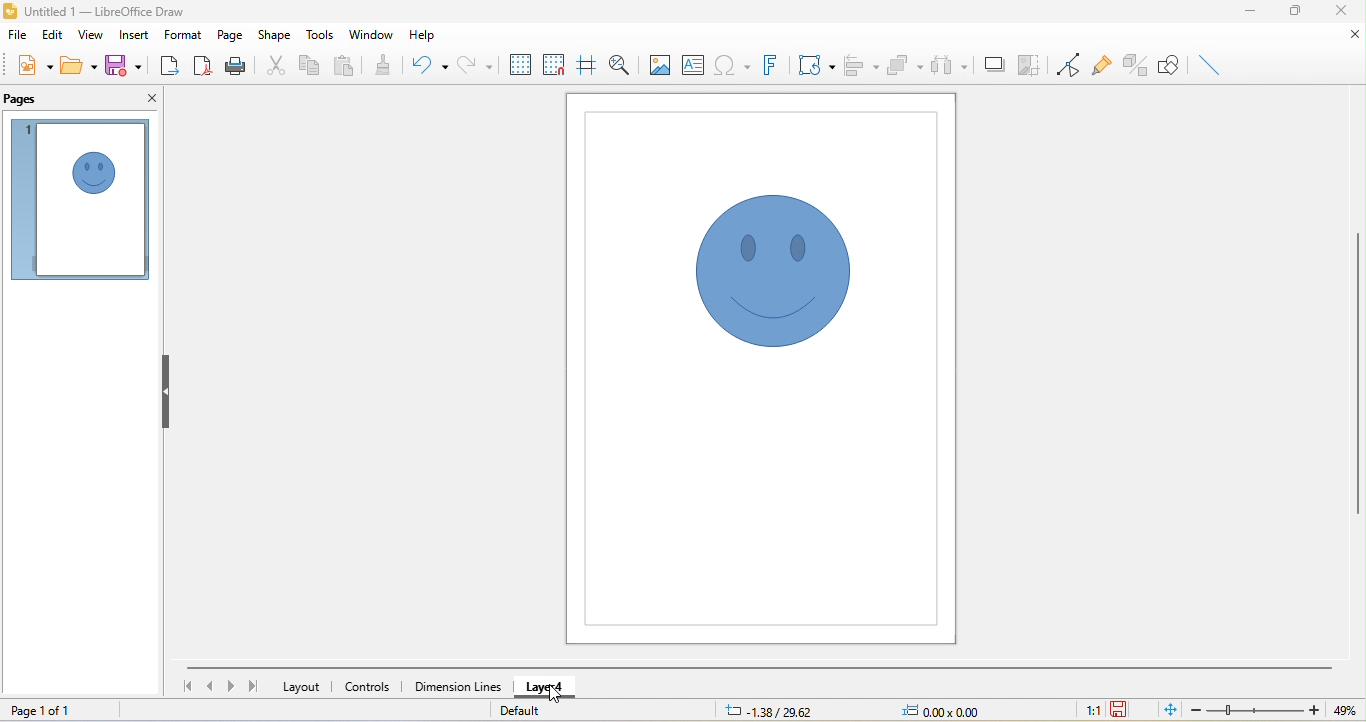  What do you see at coordinates (369, 687) in the screenshot?
I see `controls` at bounding box center [369, 687].